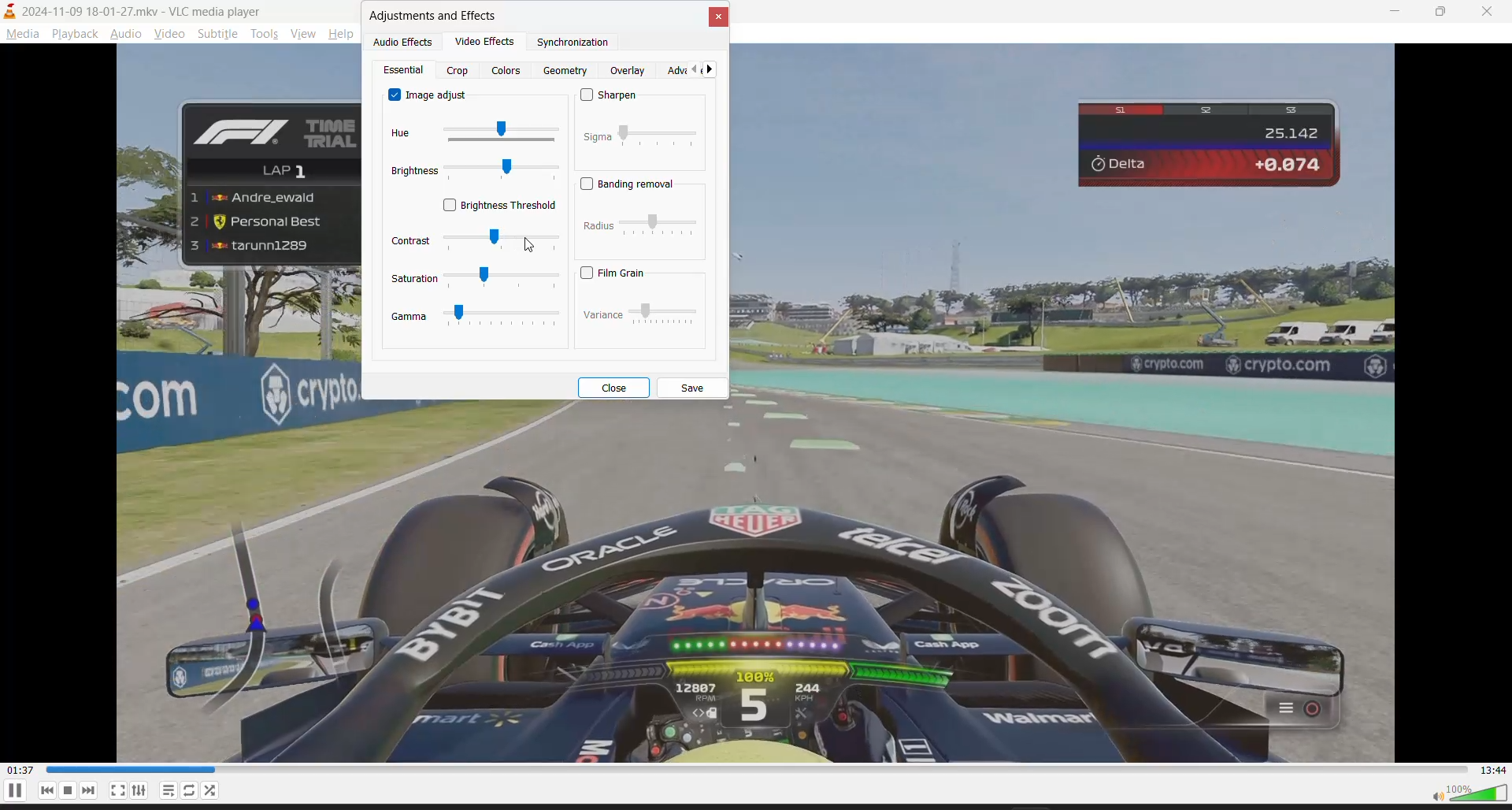 The image size is (1512, 810). What do you see at coordinates (406, 70) in the screenshot?
I see `essential` at bounding box center [406, 70].